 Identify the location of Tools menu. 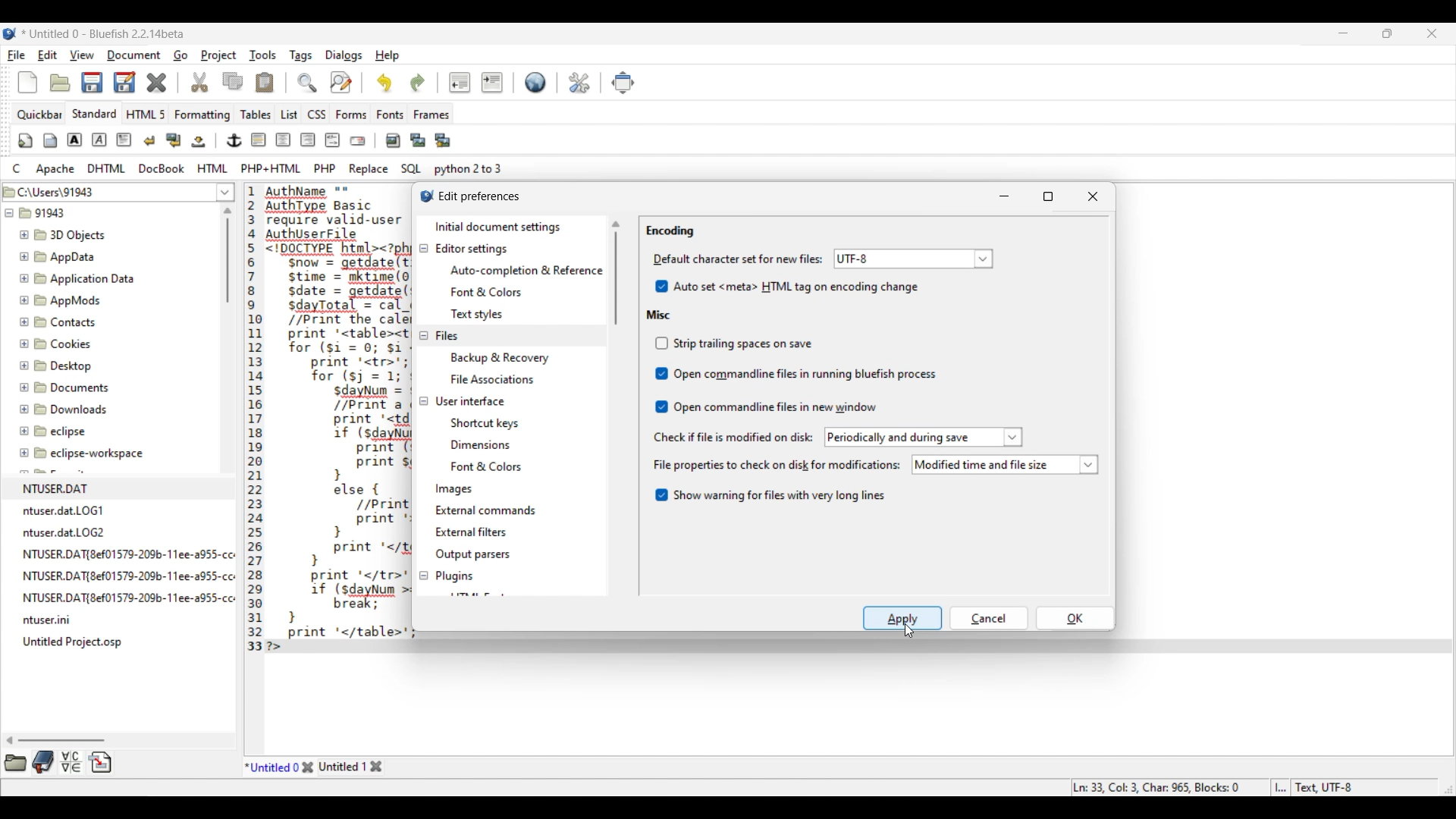
(263, 55).